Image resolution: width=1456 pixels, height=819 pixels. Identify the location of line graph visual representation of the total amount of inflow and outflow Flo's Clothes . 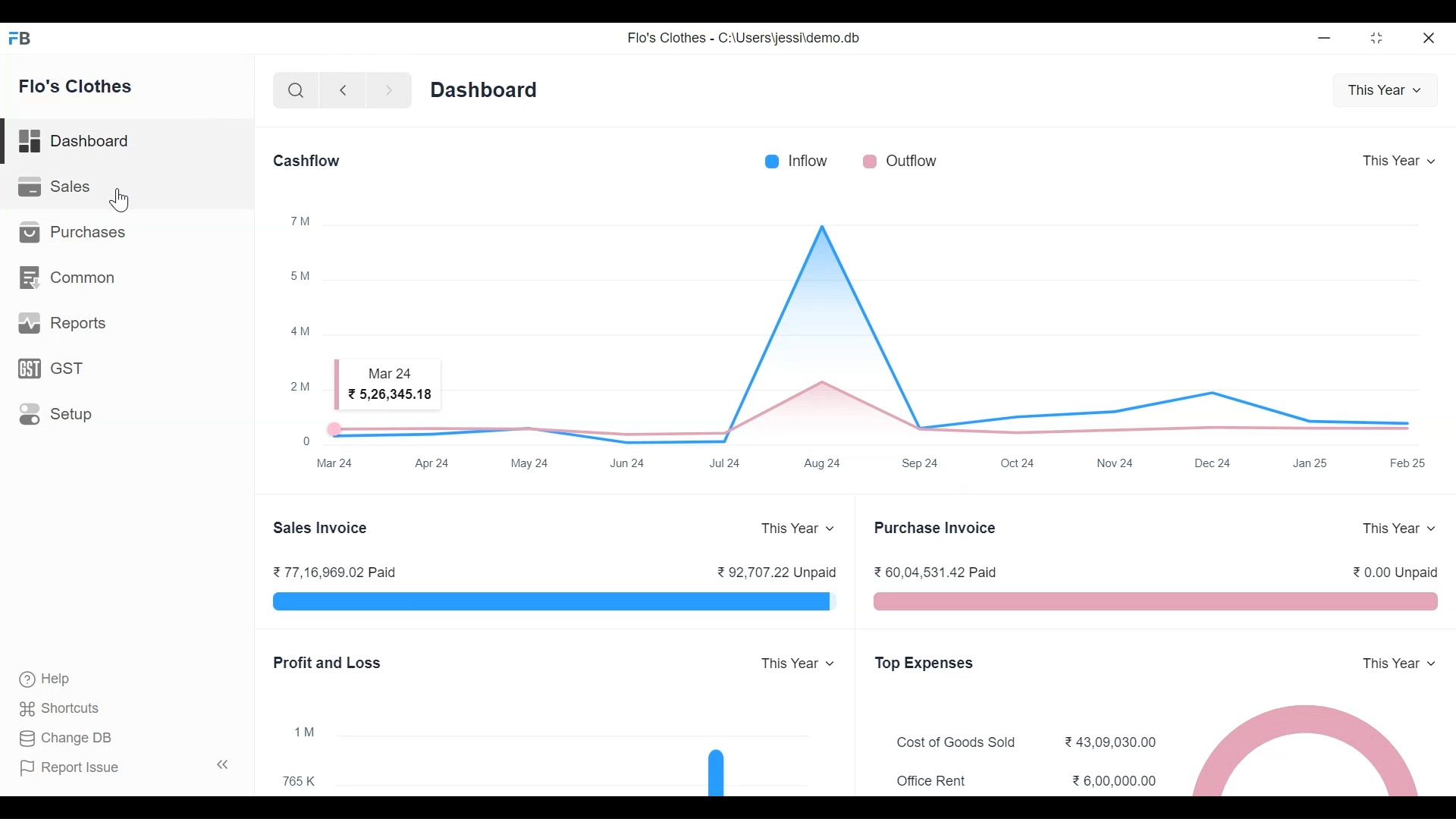
(883, 334).